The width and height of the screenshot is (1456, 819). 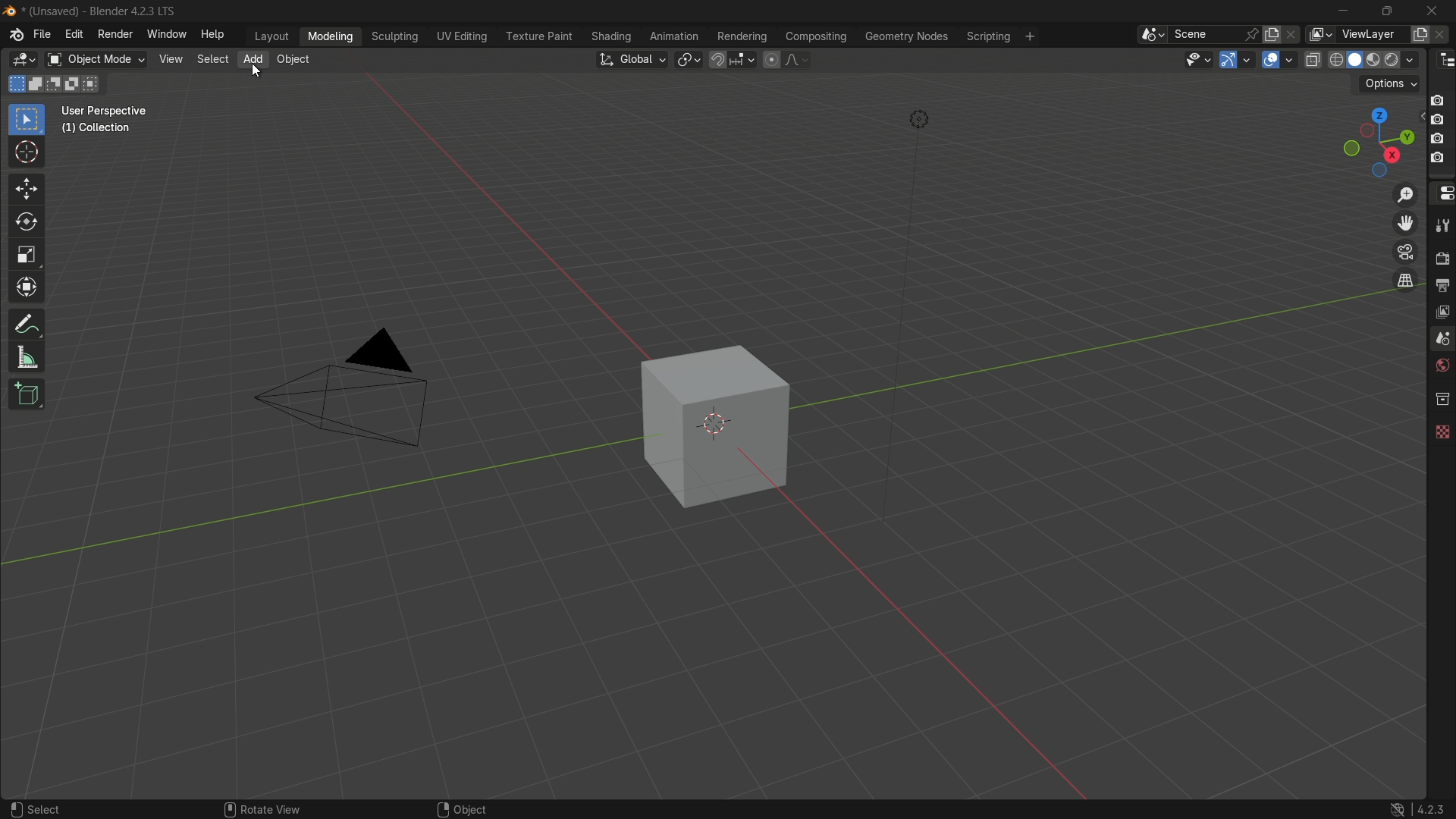 I want to click on texture, so click(x=1442, y=434).